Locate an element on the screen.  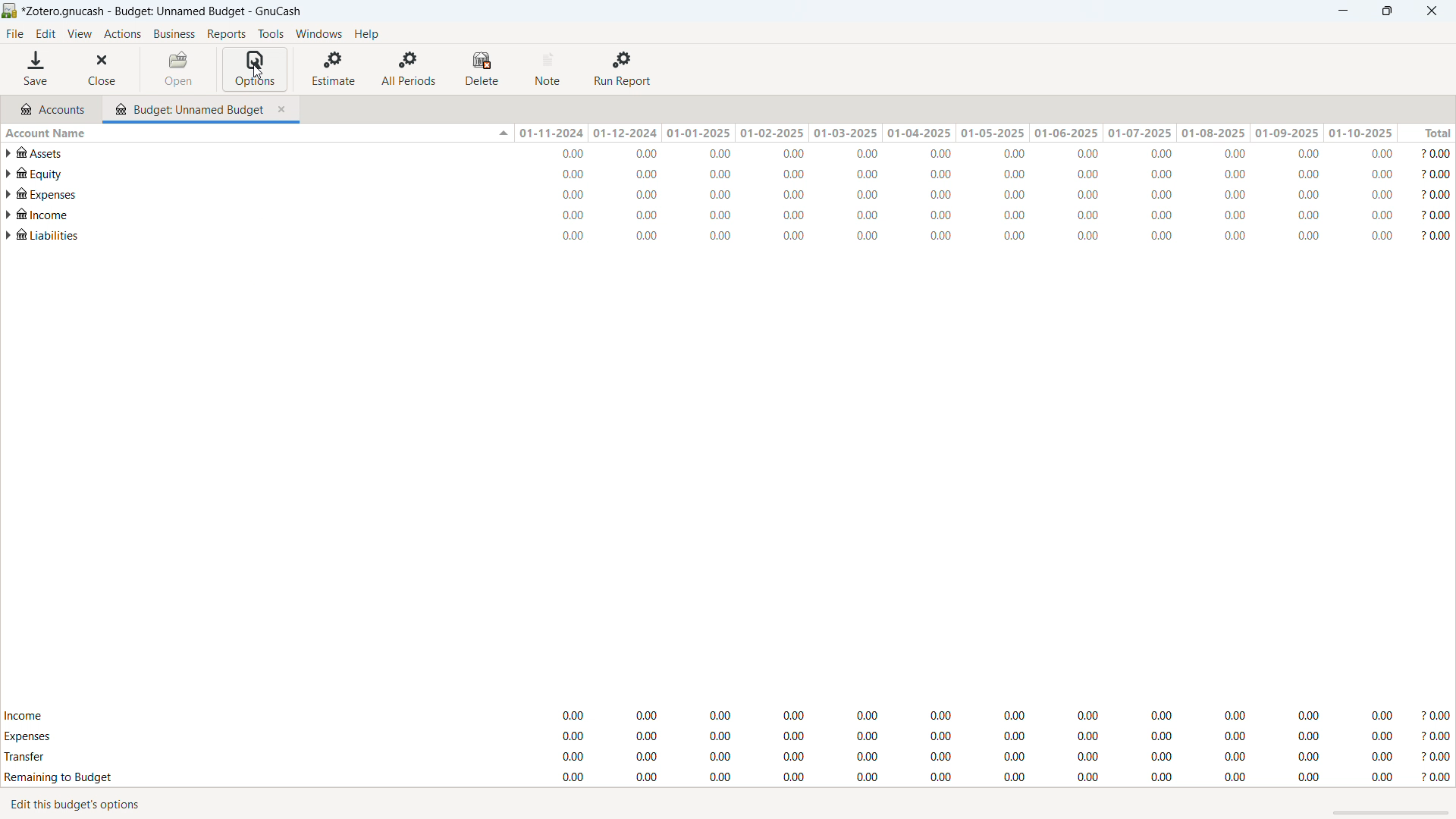
close is located at coordinates (105, 69).